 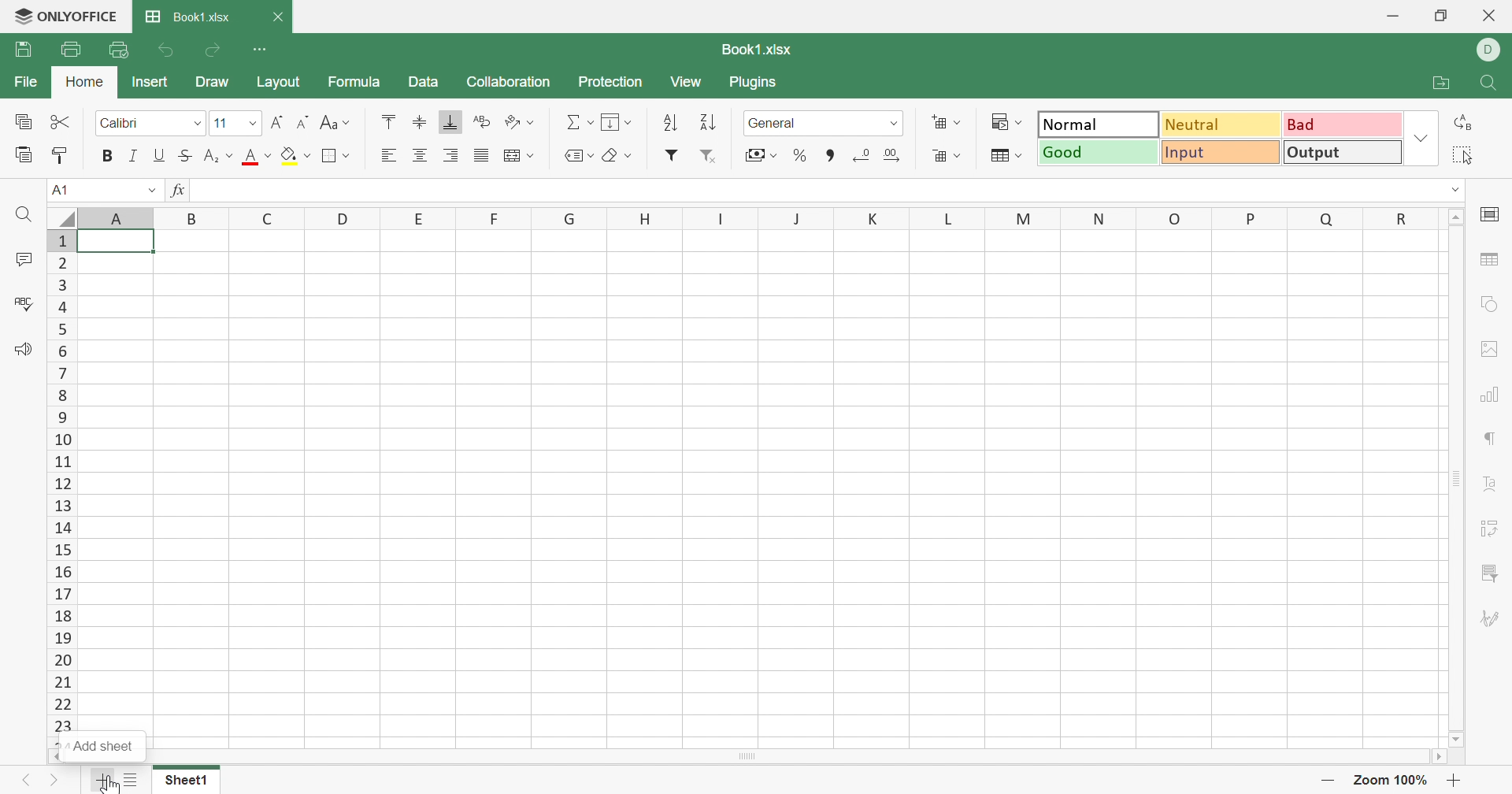 What do you see at coordinates (618, 121) in the screenshot?
I see `Fill` at bounding box center [618, 121].